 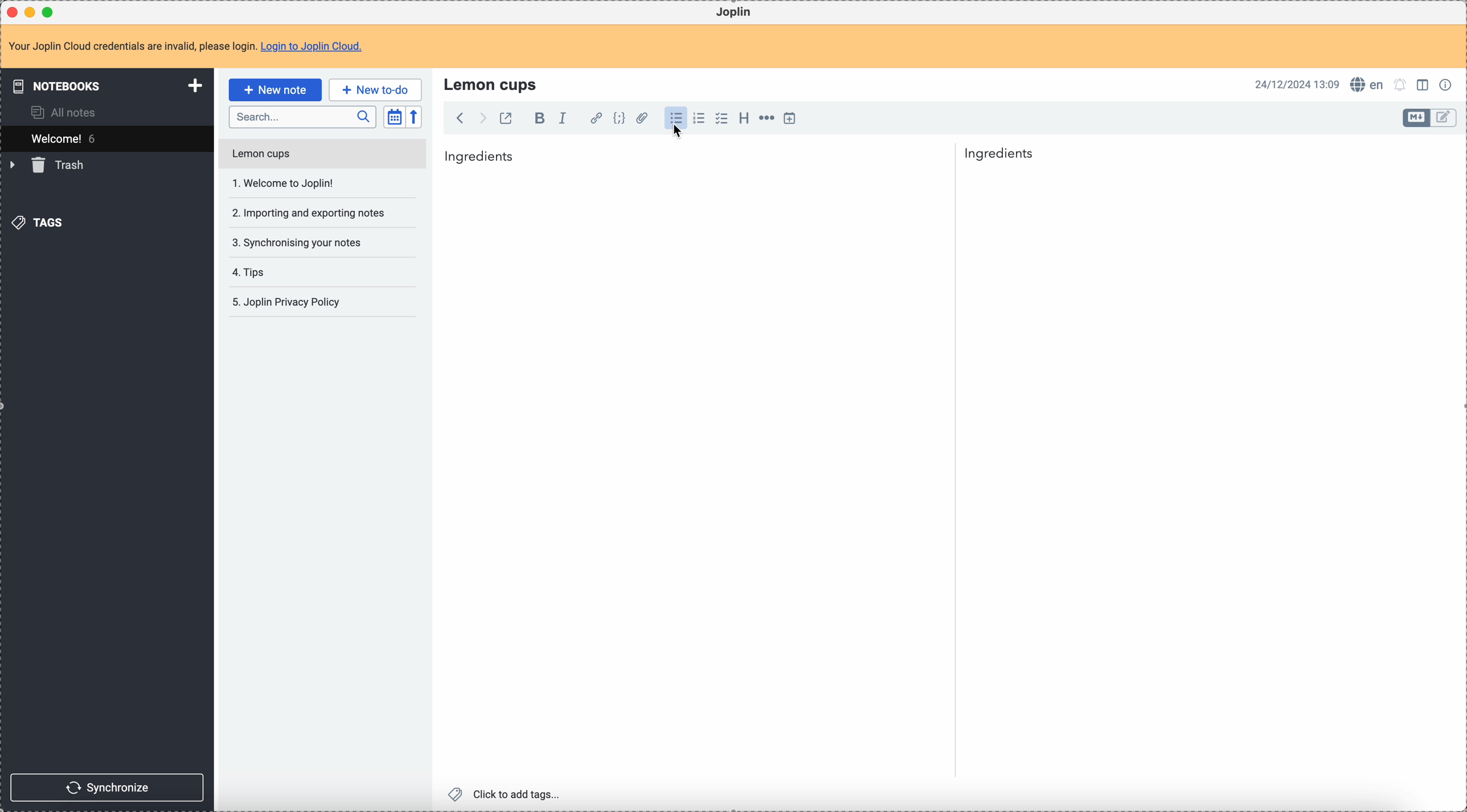 I want to click on toggle sort order field, so click(x=394, y=117).